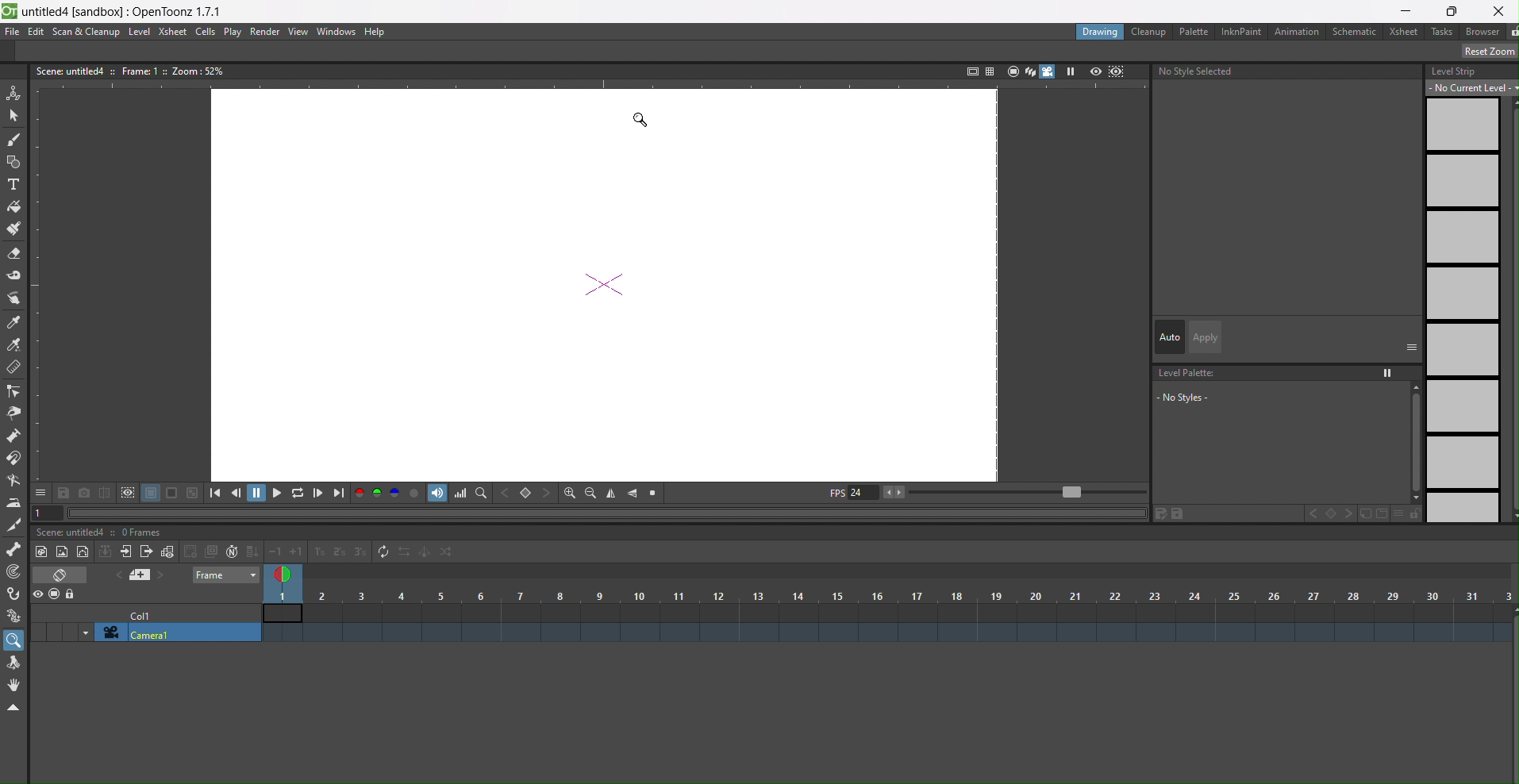  Describe the element at coordinates (71, 595) in the screenshot. I see `lock column` at that location.